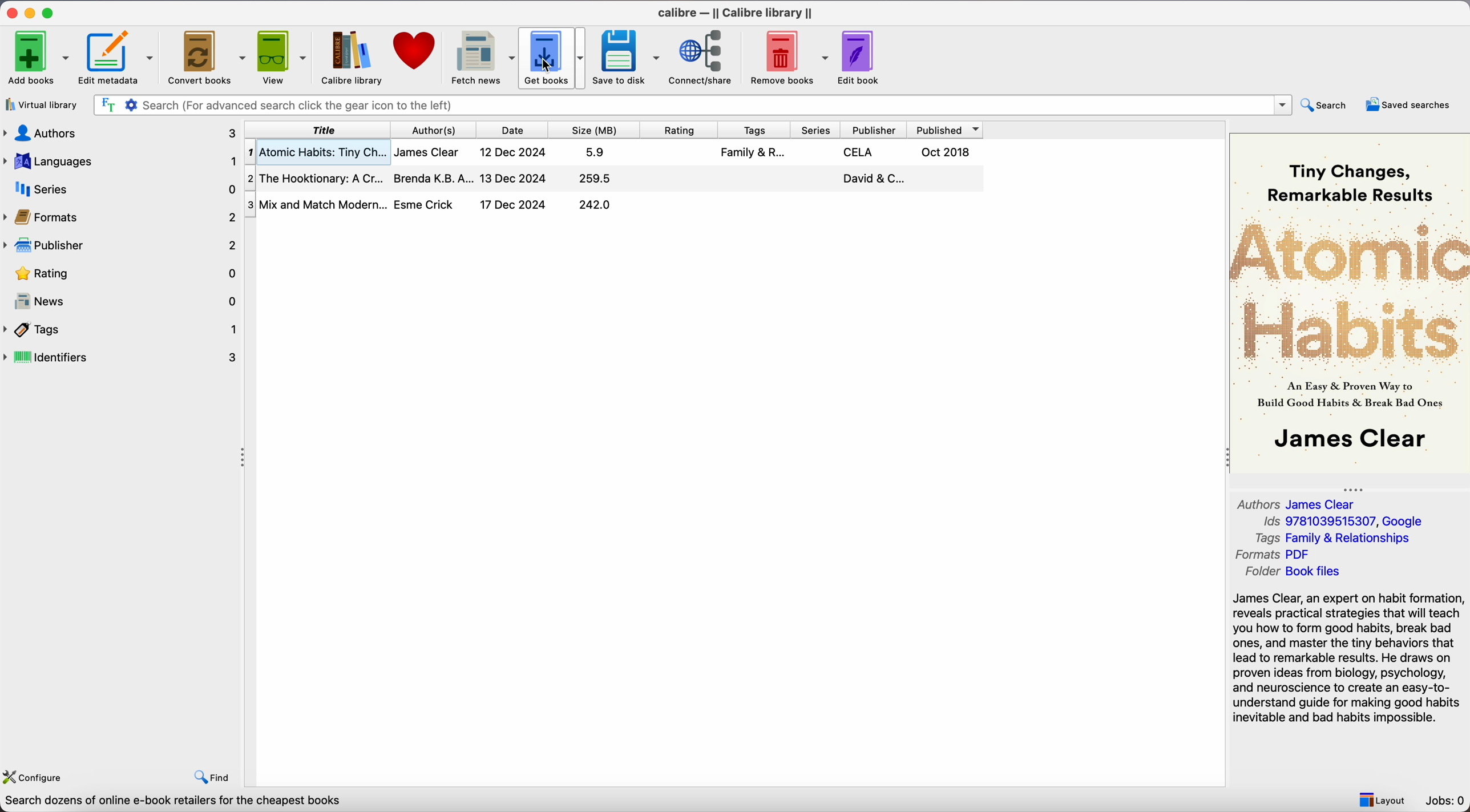  What do you see at coordinates (1283, 555) in the screenshot?
I see `Formats PDF` at bounding box center [1283, 555].